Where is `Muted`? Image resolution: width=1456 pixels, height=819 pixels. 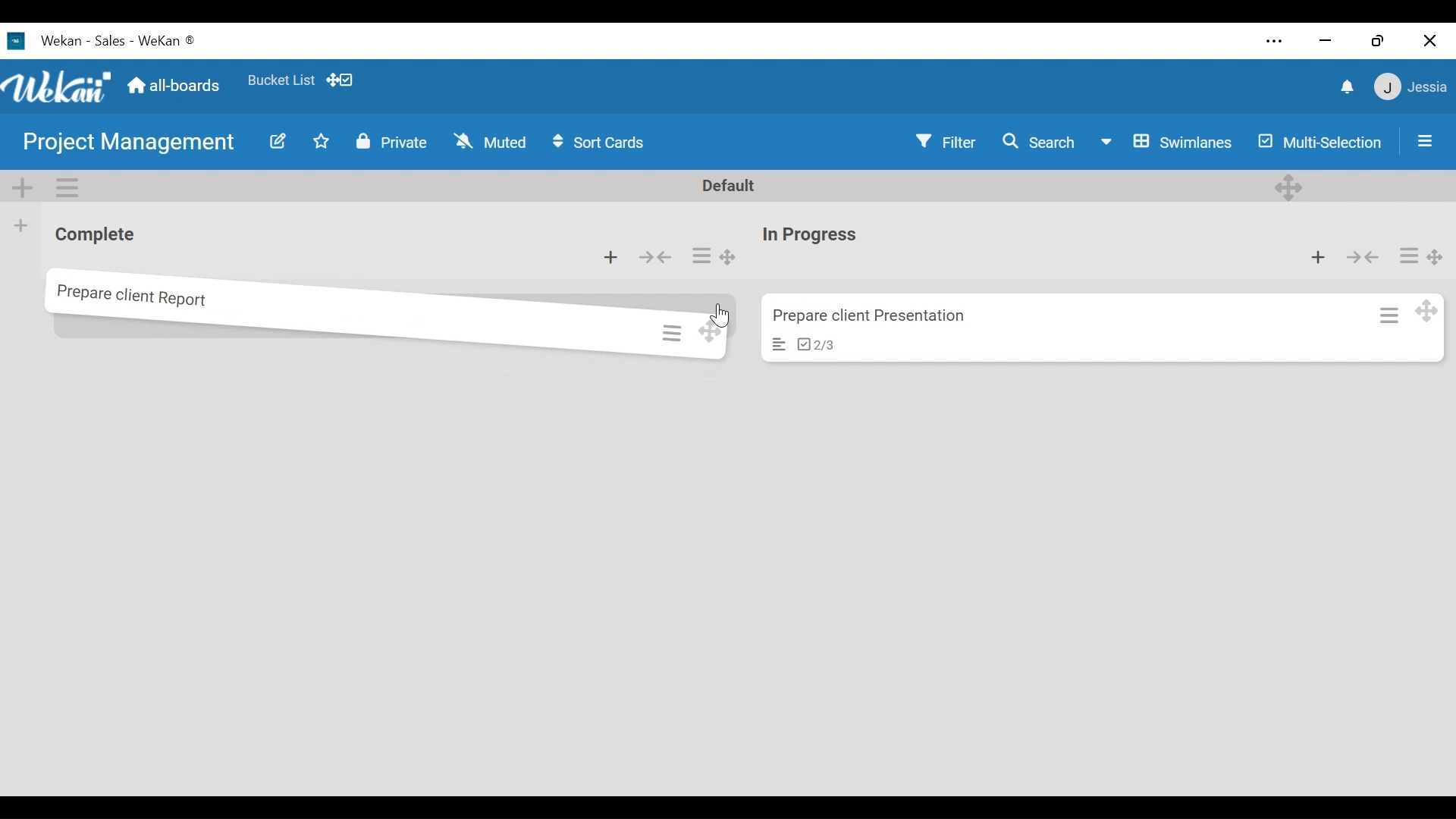
Muted is located at coordinates (486, 140).